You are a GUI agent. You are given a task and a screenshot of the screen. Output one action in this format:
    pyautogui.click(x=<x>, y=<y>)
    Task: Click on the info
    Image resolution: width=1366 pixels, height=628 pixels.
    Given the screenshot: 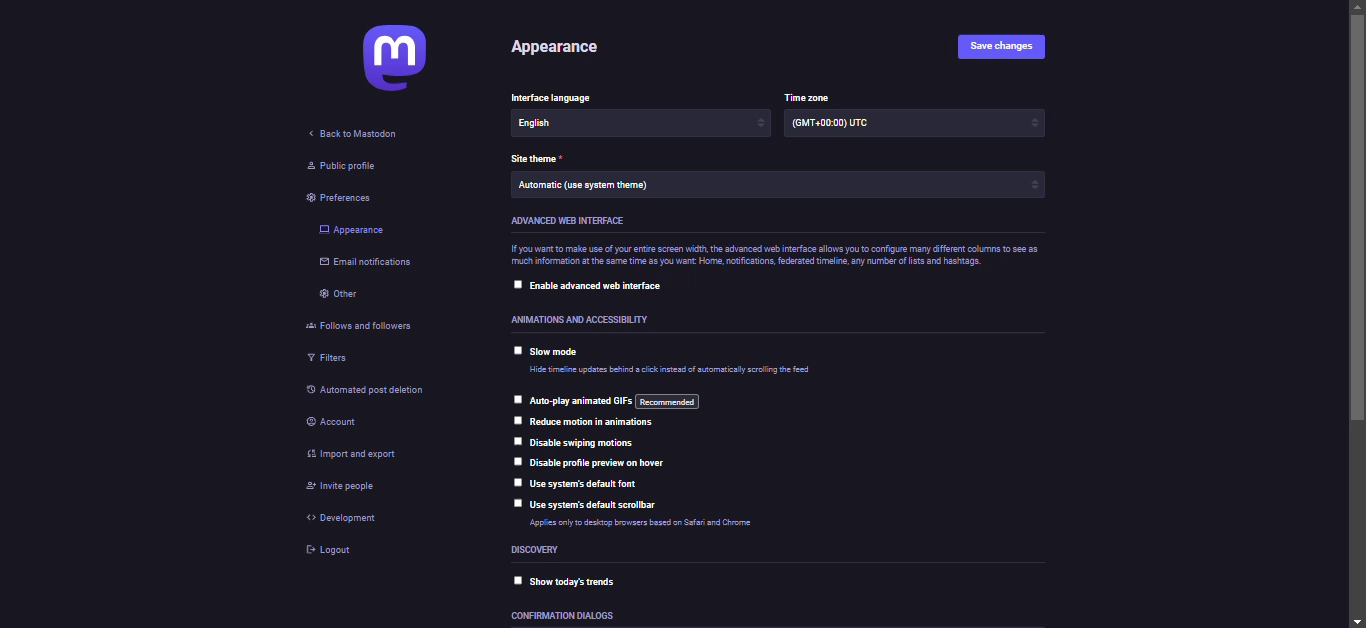 What is the action you would take?
    pyautogui.click(x=677, y=371)
    